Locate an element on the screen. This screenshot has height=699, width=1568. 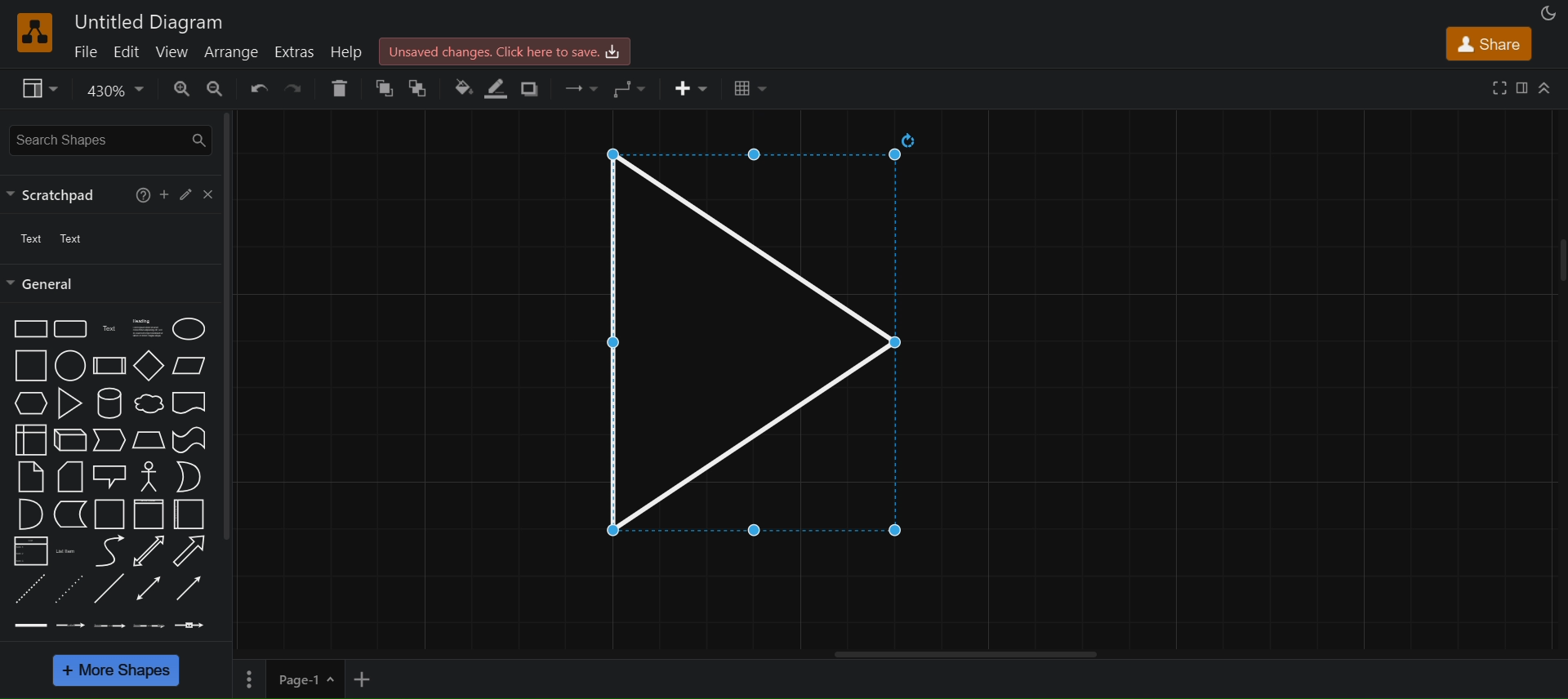
file is located at coordinates (87, 51).